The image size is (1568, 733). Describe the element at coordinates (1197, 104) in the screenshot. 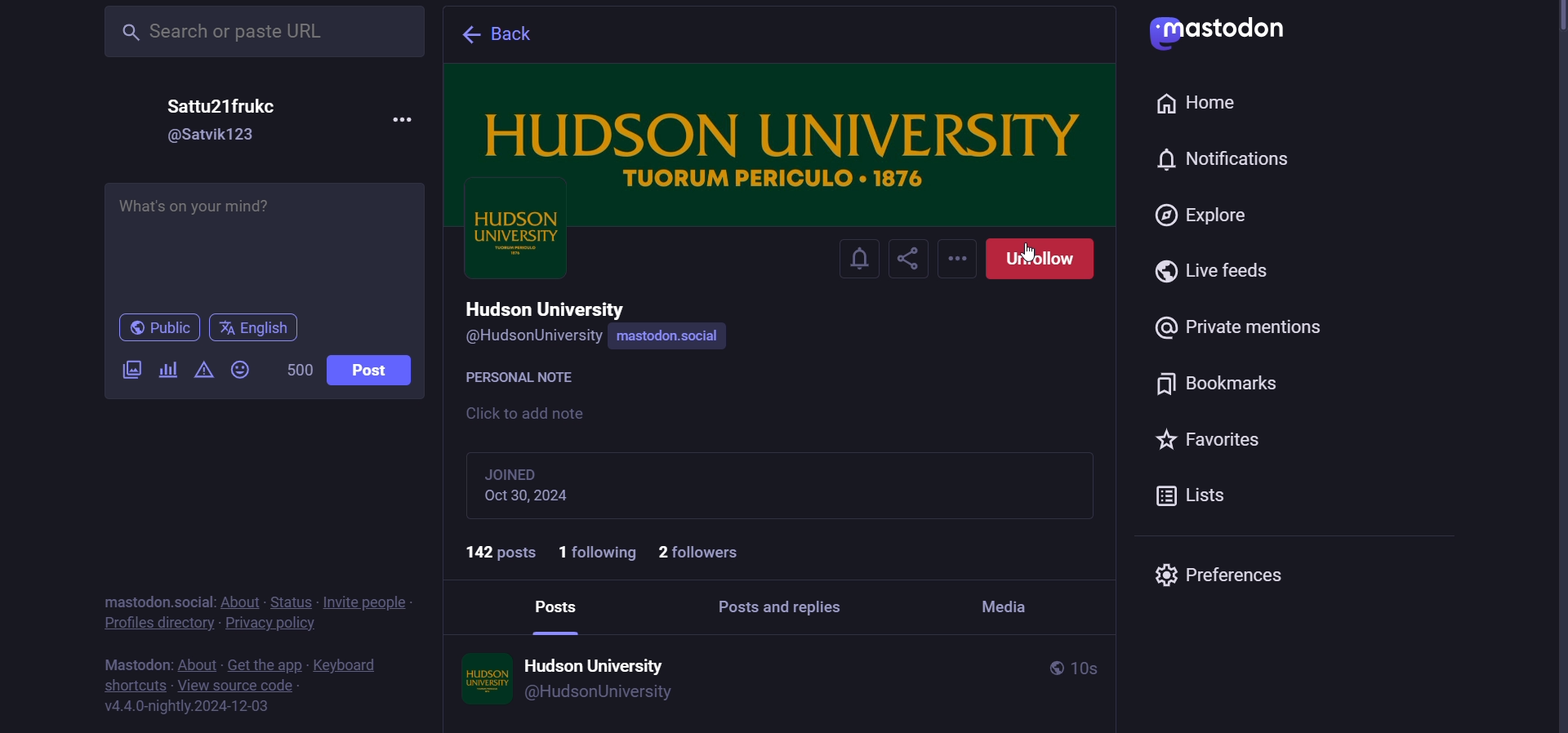

I see `home` at that location.